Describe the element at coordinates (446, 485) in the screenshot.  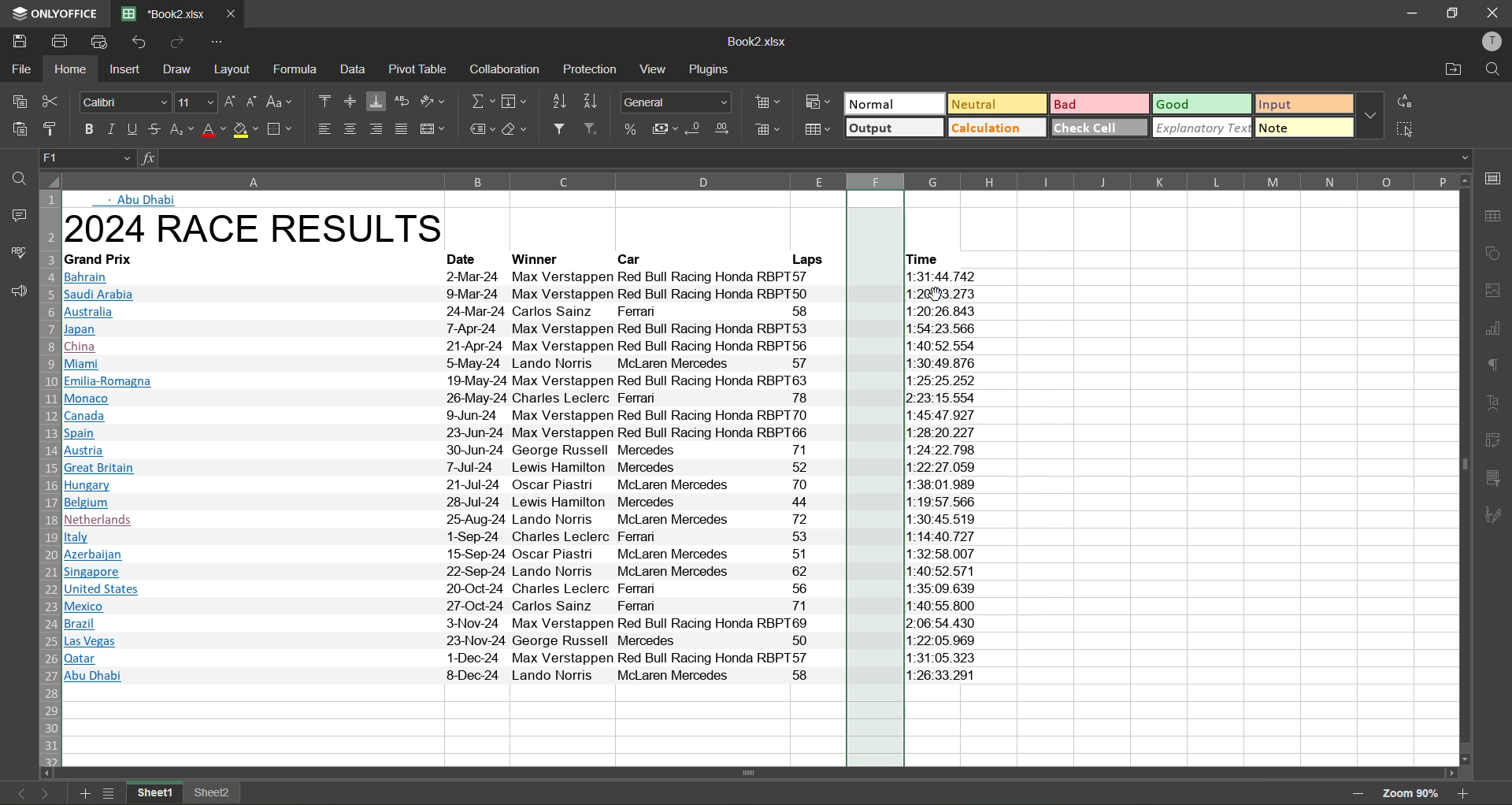
I see `IHungary 21-Jul-24 Oscar Piastn McLaren Mercedes 70 1:38:01.989` at that location.